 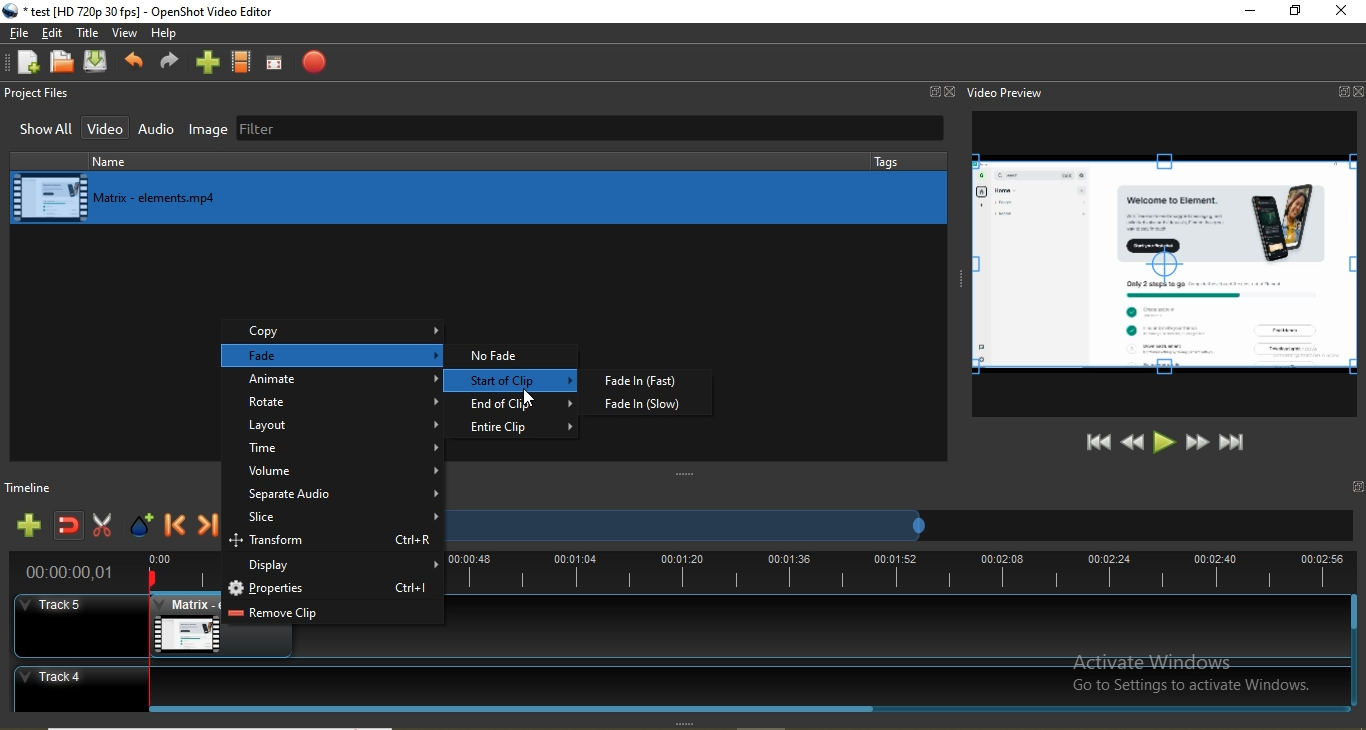 What do you see at coordinates (209, 62) in the screenshot?
I see `import files` at bounding box center [209, 62].